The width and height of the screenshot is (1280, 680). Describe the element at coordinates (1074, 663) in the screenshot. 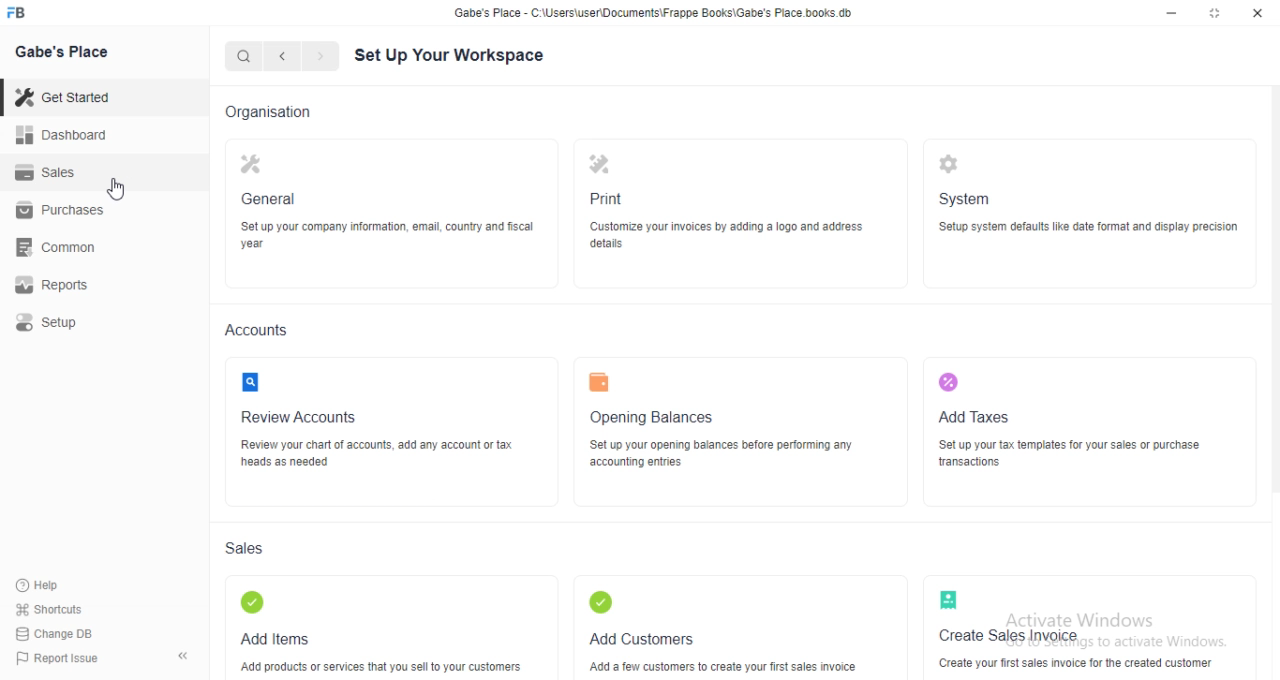

I see `Create your first sales invoice for the created customer` at that location.